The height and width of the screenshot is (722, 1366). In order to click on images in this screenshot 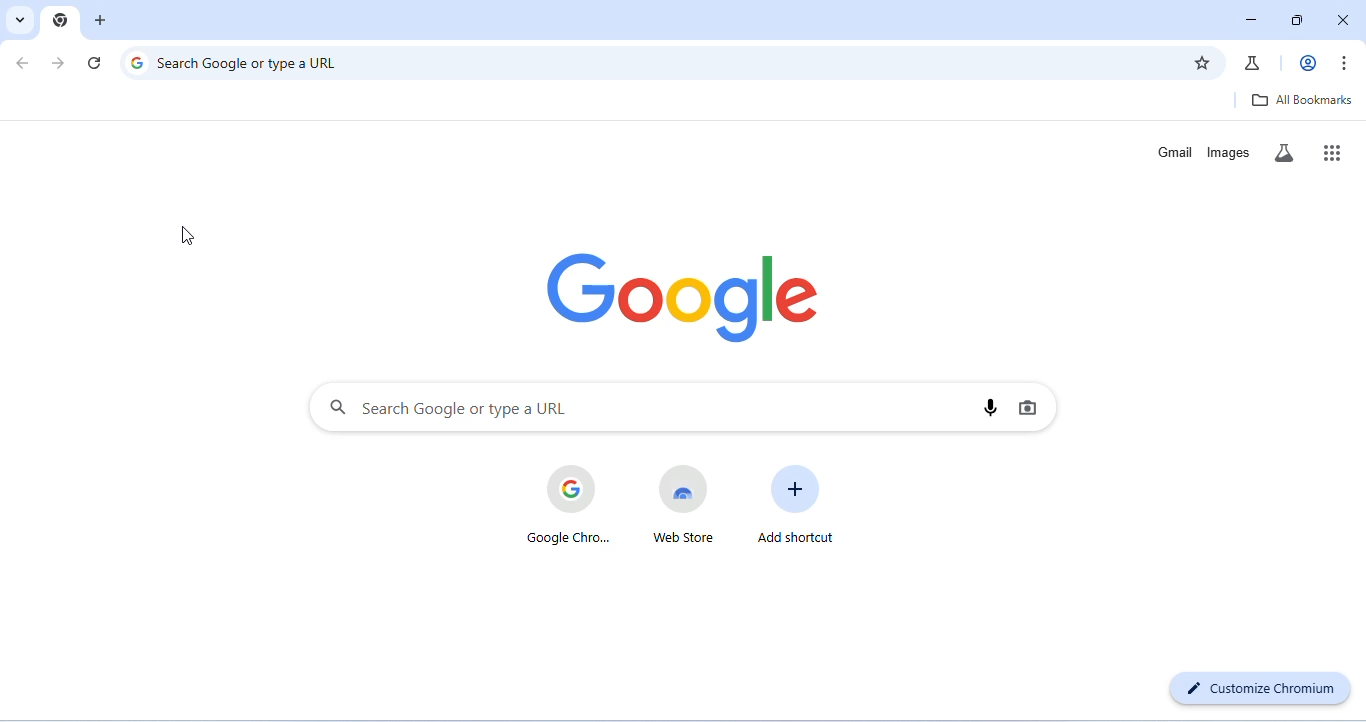, I will do `click(1228, 151)`.